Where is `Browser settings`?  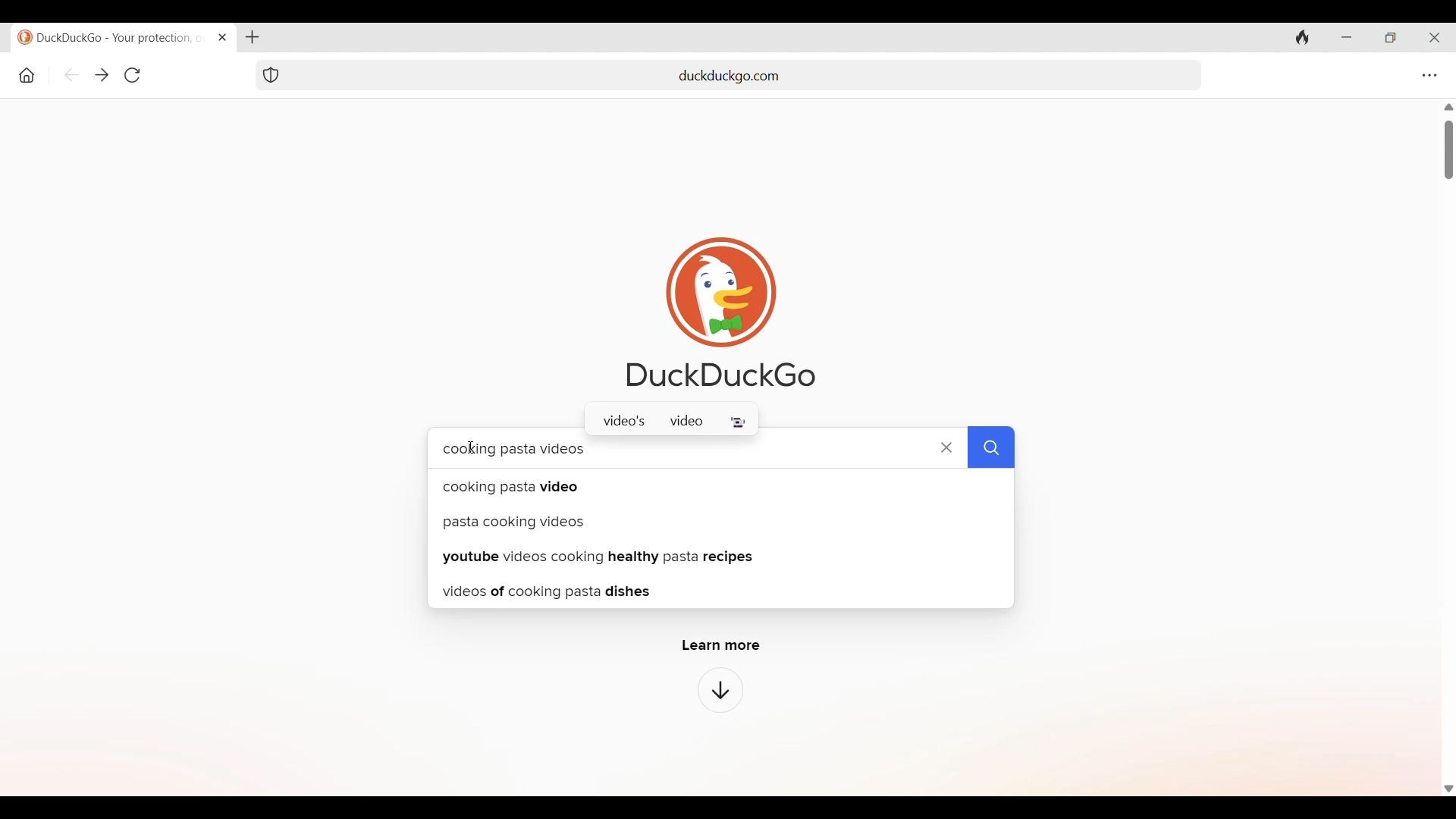 Browser settings is located at coordinates (1429, 75).